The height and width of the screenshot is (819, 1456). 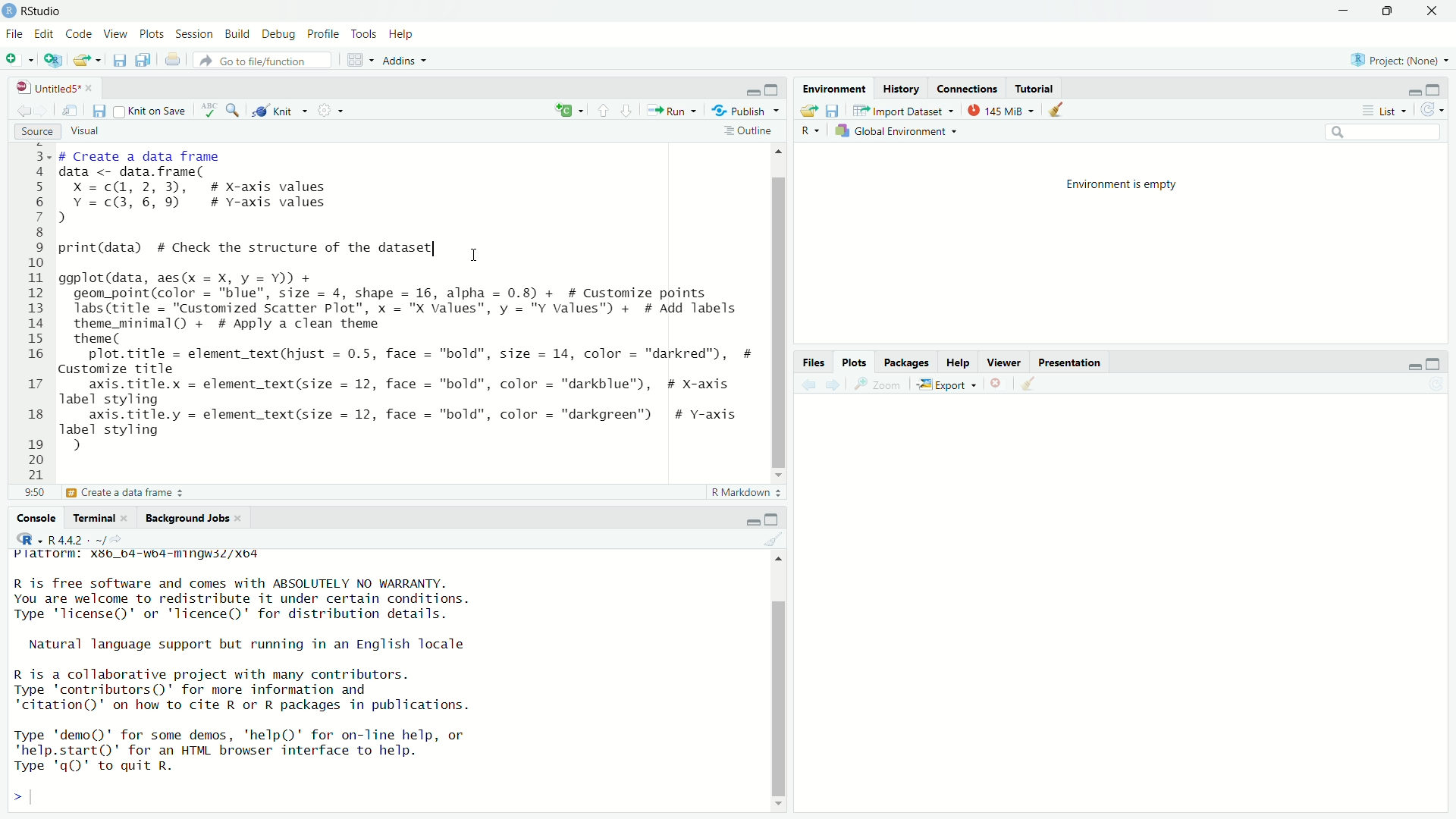 What do you see at coordinates (78, 35) in the screenshot?
I see `Code` at bounding box center [78, 35].